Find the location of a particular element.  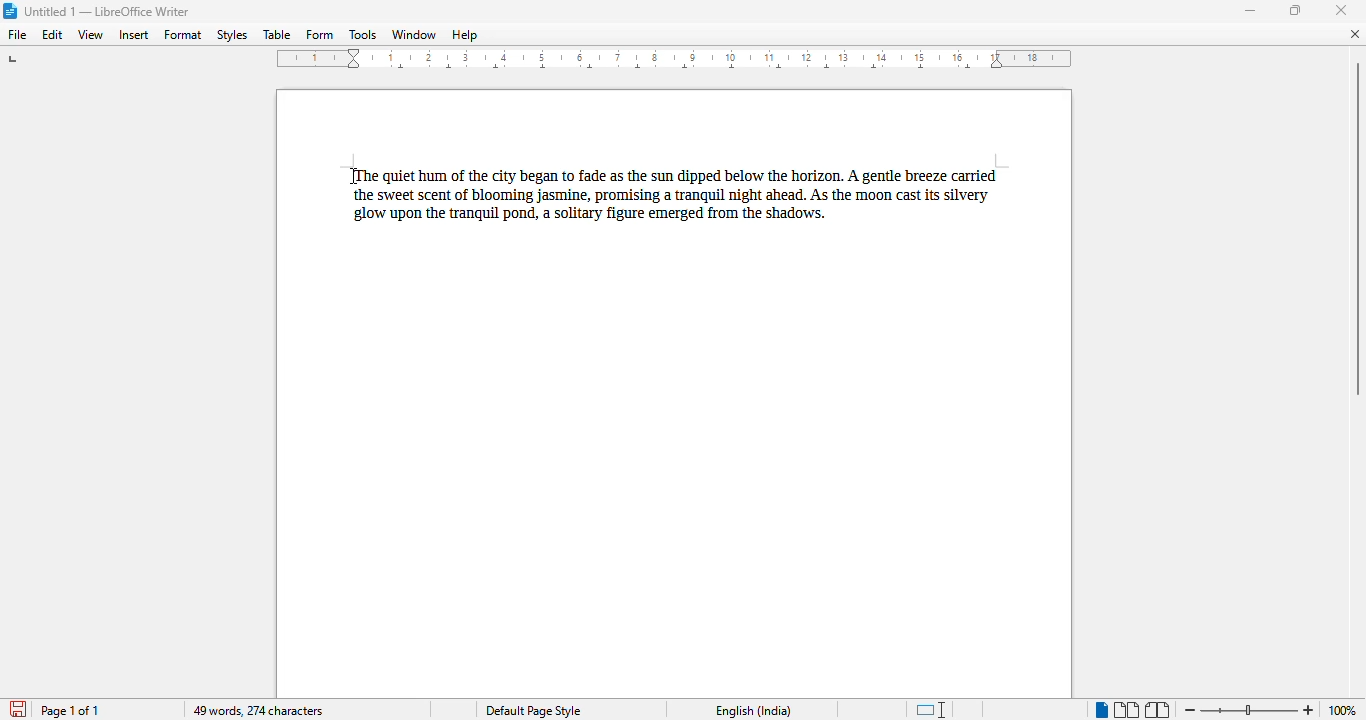

multi-page view is located at coordinates (1126, 710).